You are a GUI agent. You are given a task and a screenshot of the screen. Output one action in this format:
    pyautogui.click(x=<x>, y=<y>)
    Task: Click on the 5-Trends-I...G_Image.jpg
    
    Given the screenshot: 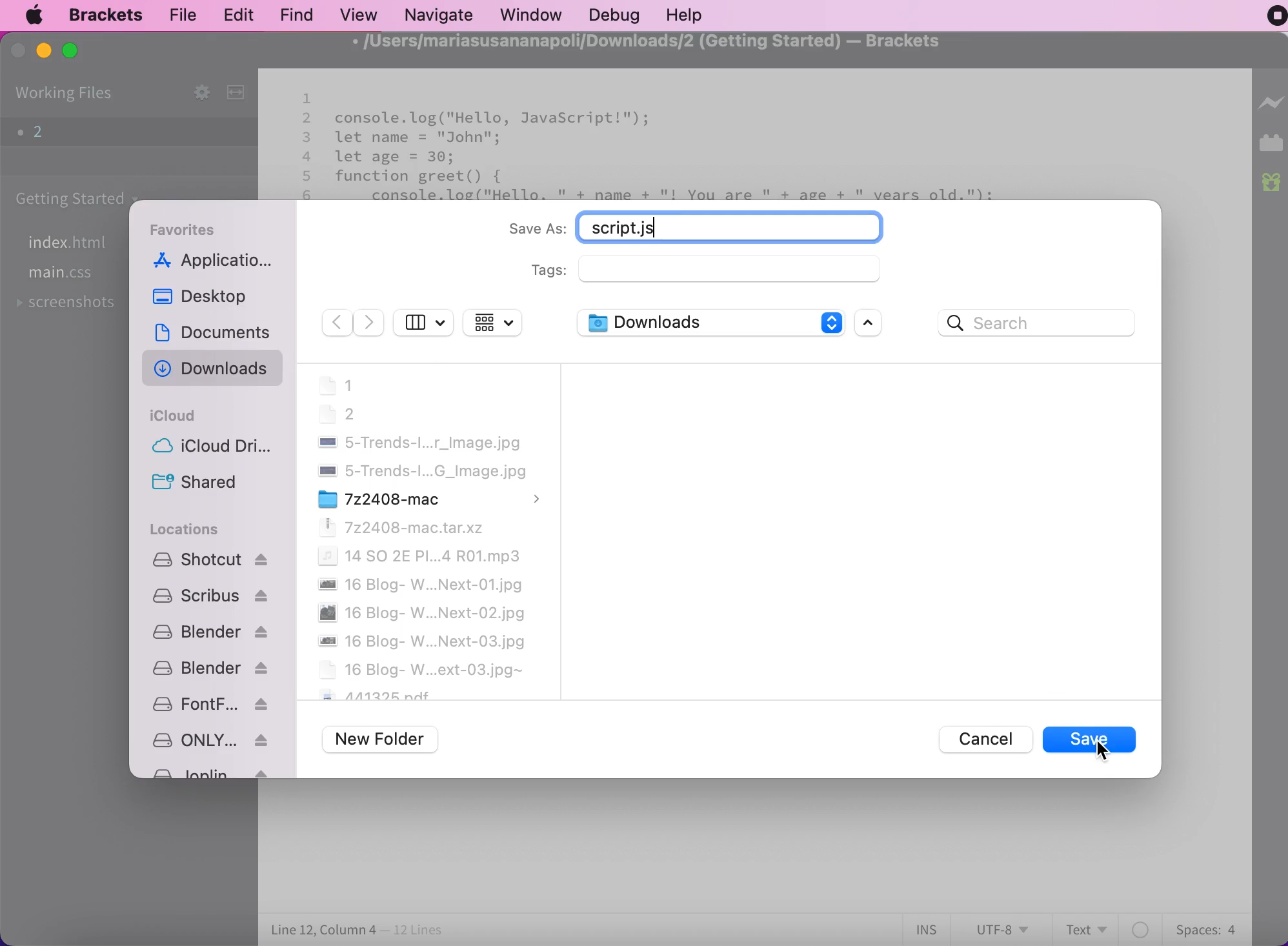 What is the action you would take?
    pyautogui.click(x=421, y=471)
    